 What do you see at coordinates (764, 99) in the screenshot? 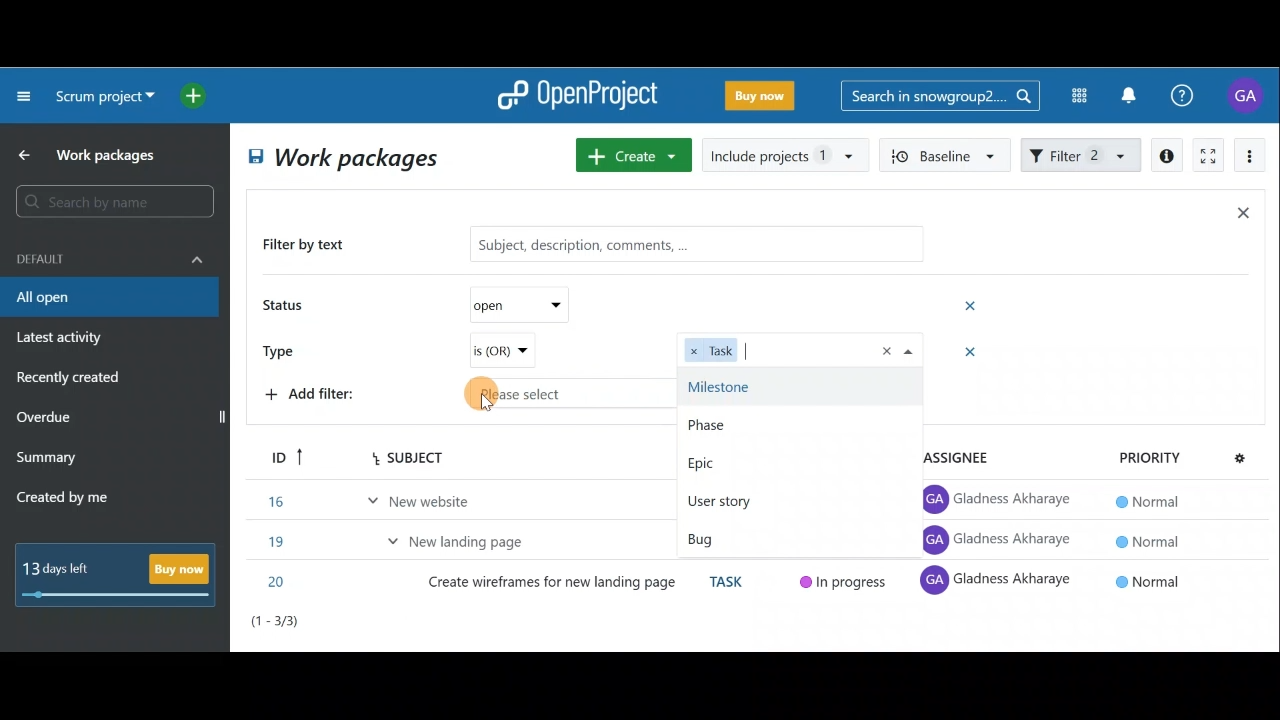
I see `Buy now` at bounding box center [764, 99].